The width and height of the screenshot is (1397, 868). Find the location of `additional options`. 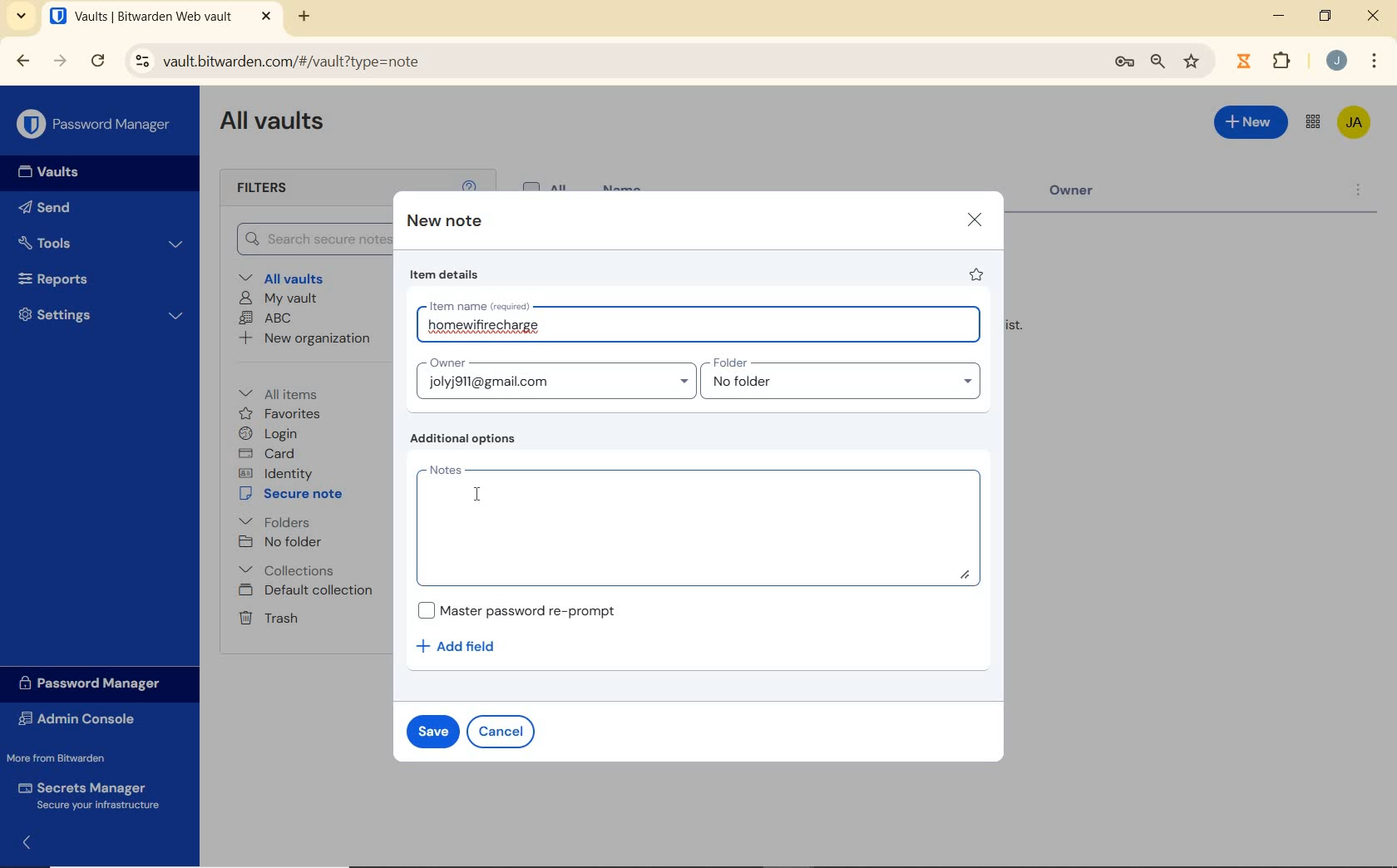

additional options is located at coordinates (468, 439).